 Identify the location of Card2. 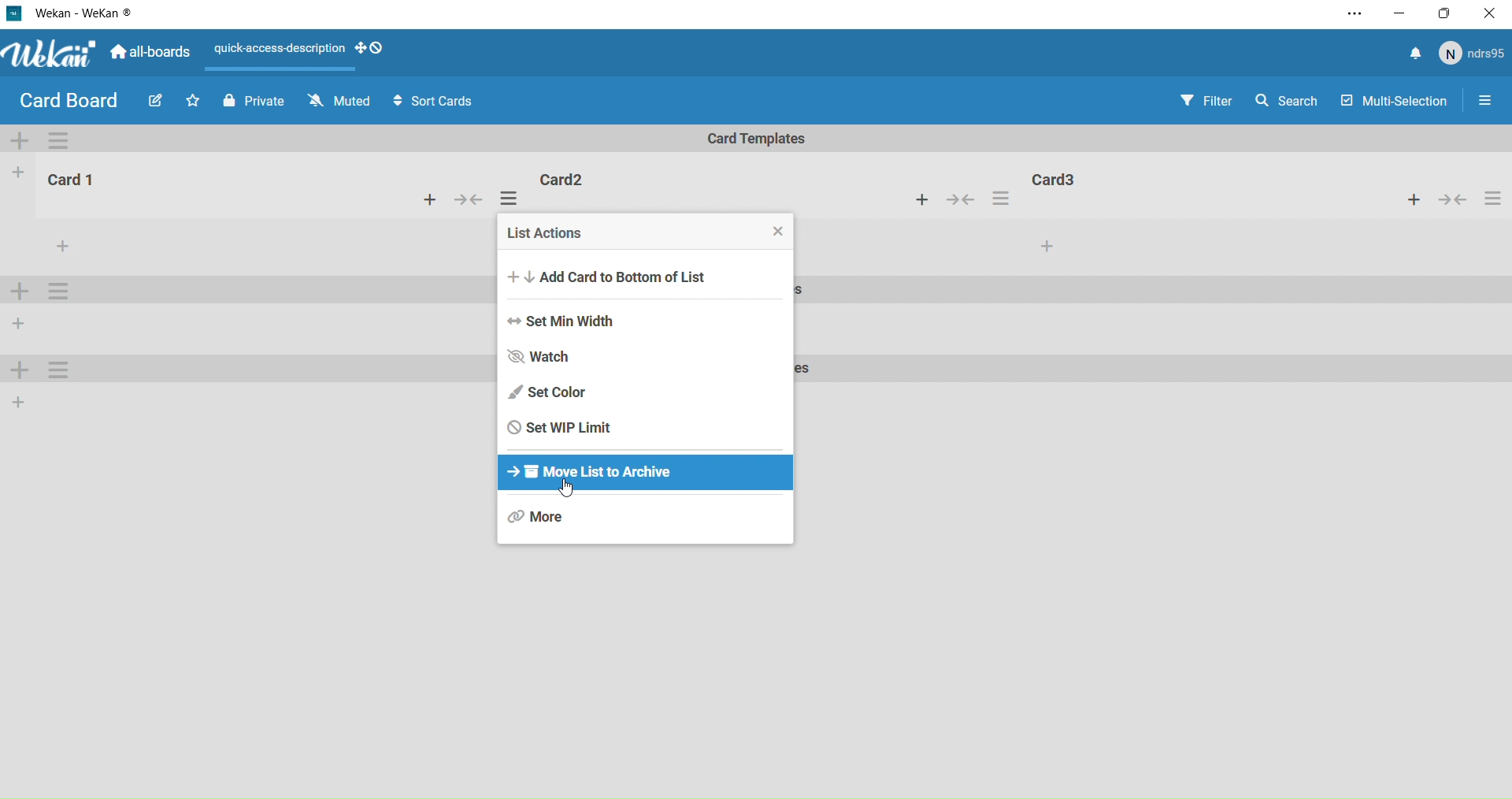
(563, 181).